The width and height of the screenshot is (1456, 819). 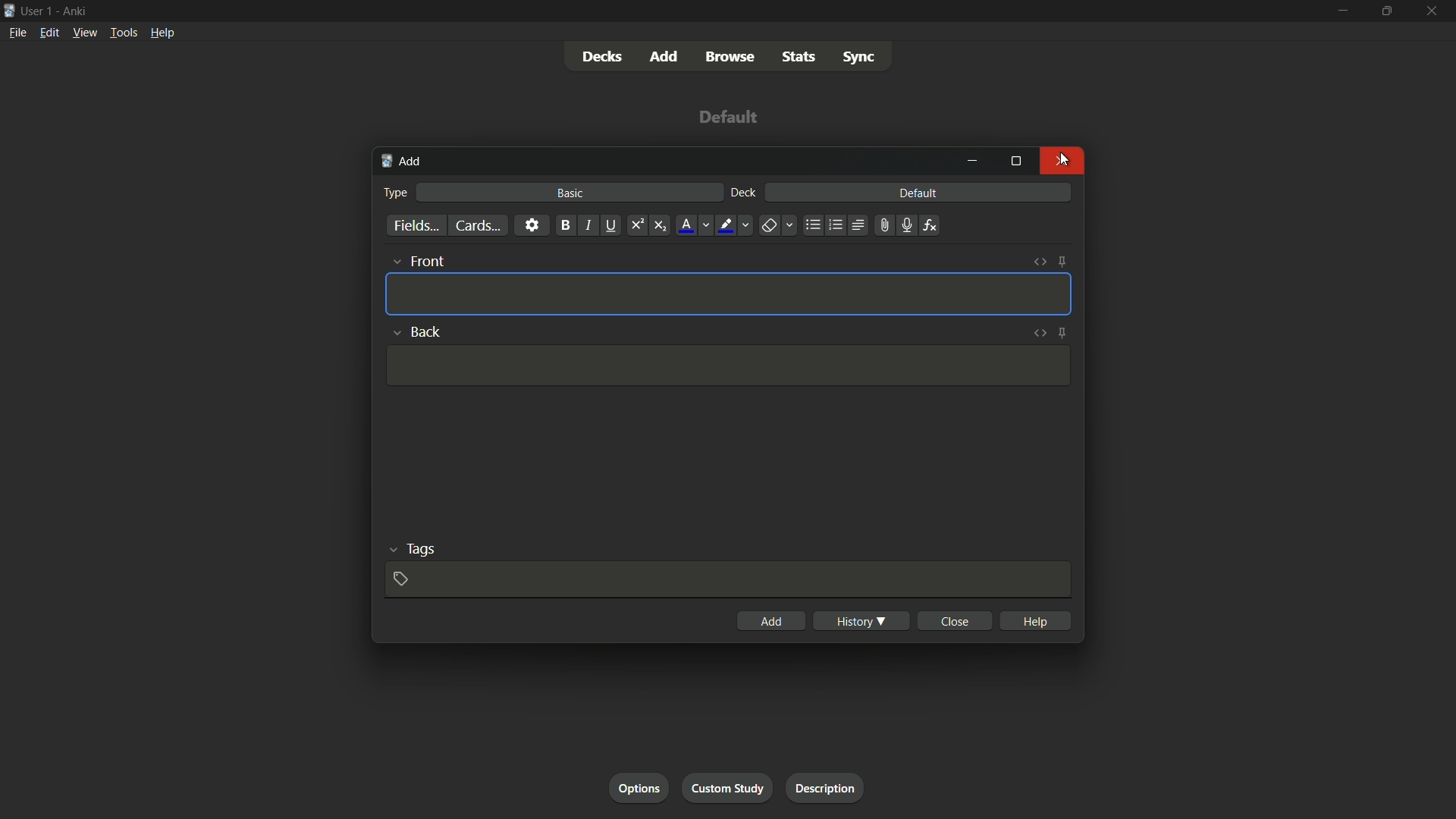 What do you see at coordinates (639, 787) in the screenshot?
I see `options` at bounding box center [639, 787].